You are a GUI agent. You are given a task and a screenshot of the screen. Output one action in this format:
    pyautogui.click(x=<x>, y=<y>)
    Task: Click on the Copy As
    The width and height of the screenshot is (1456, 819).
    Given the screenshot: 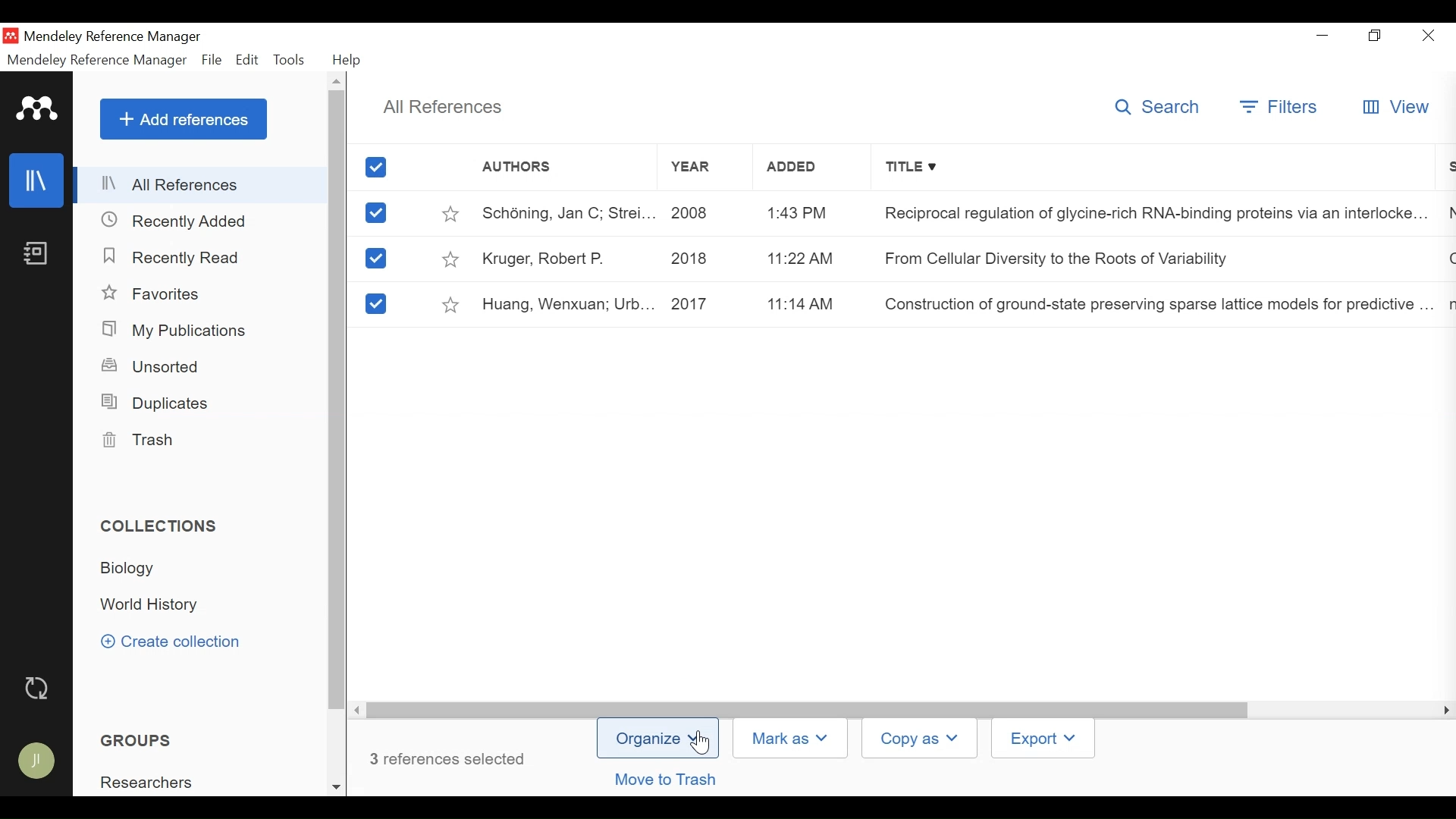 What is the action you would take?
    pyautogui.click(x=921, y=739)
    